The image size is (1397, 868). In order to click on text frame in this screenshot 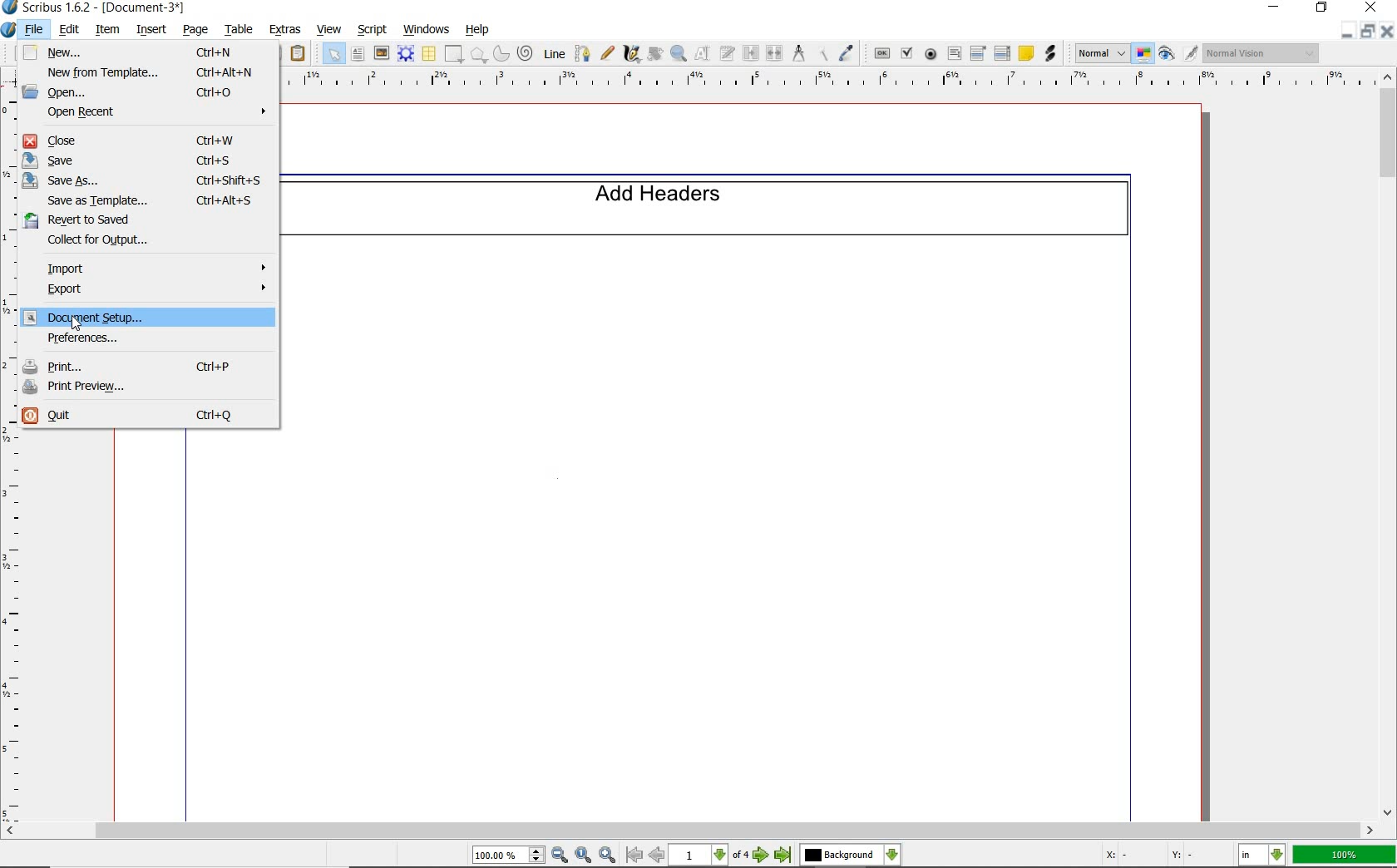, I will do `click(358, 56)`.